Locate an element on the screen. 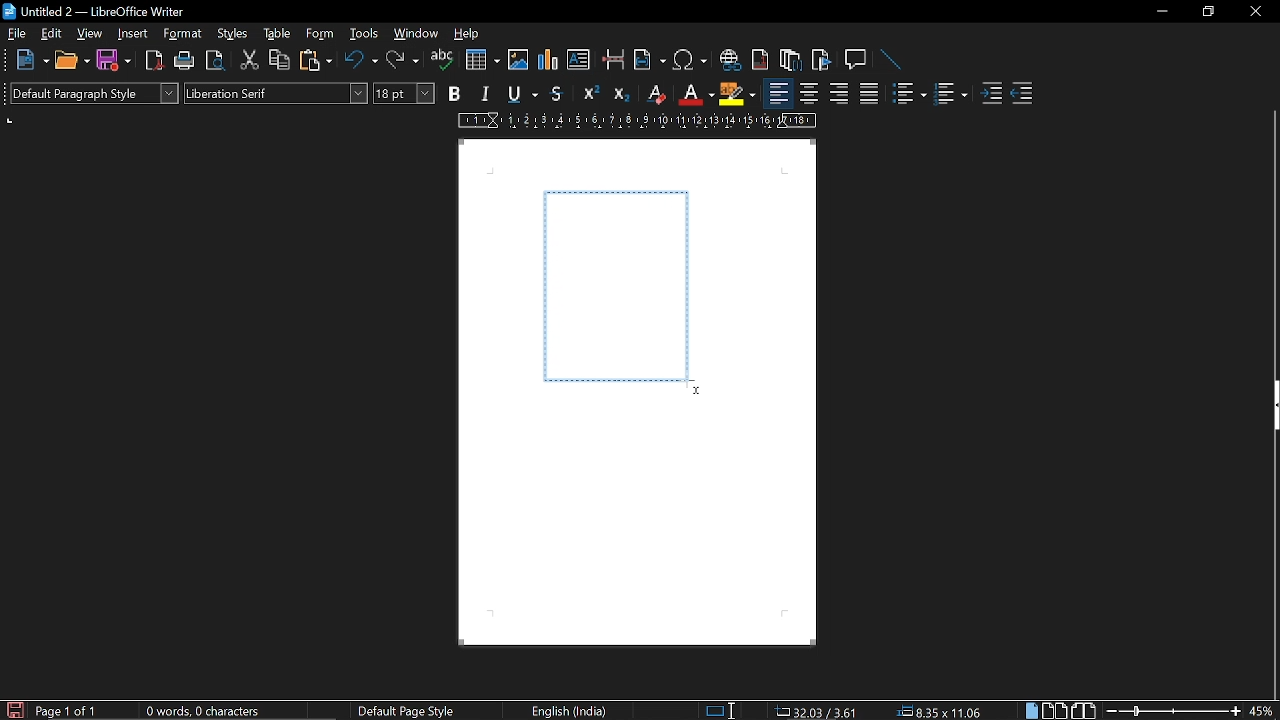 The image size is (1280, 720). new is located at coordinates (31, 59).